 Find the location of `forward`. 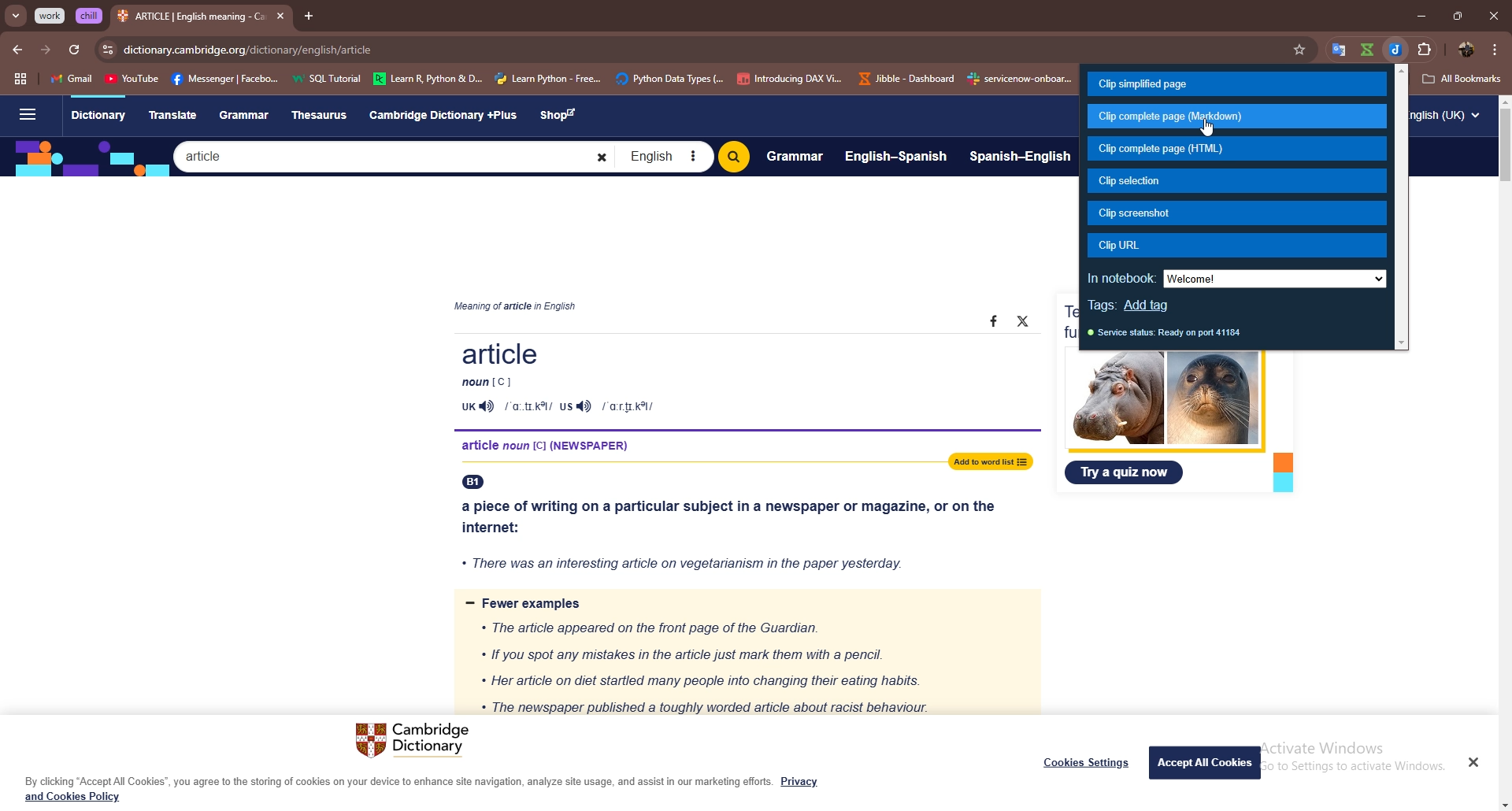

forward is located at coordinates (45, 51).